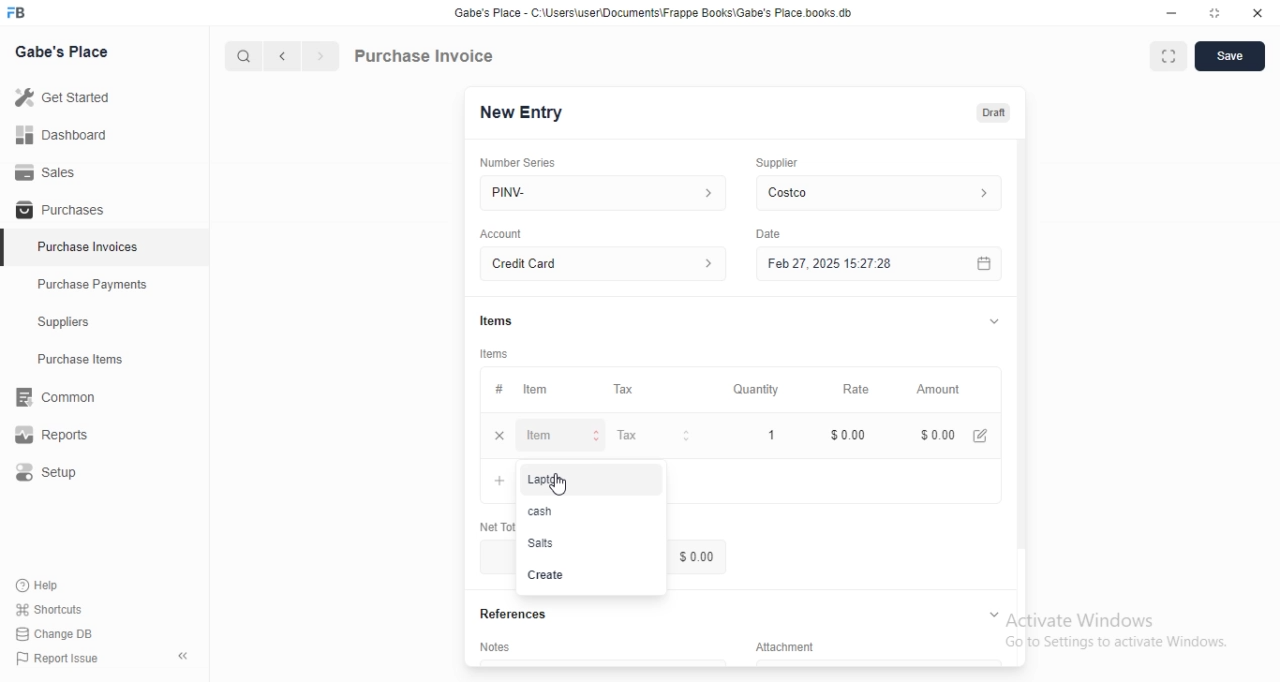 This screenshot has height=682, width=1280. What do you see at coordinates (752, 435) in the screenshot?
I see `1` at bounding box center [752, 435].